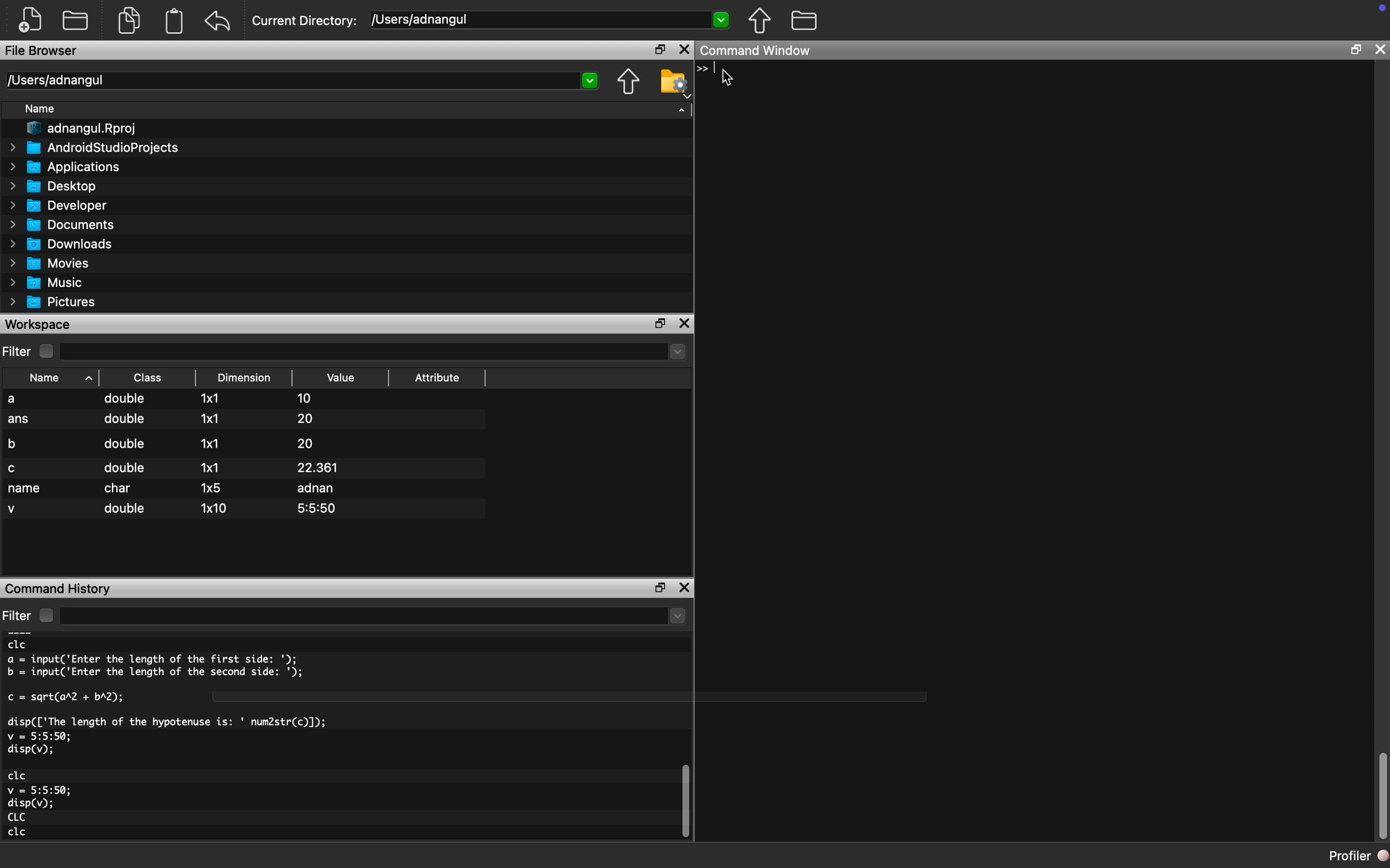  Describe the element at coordinates (56, 186) in the screenshot. I see `> [BB Desktop` at that location.